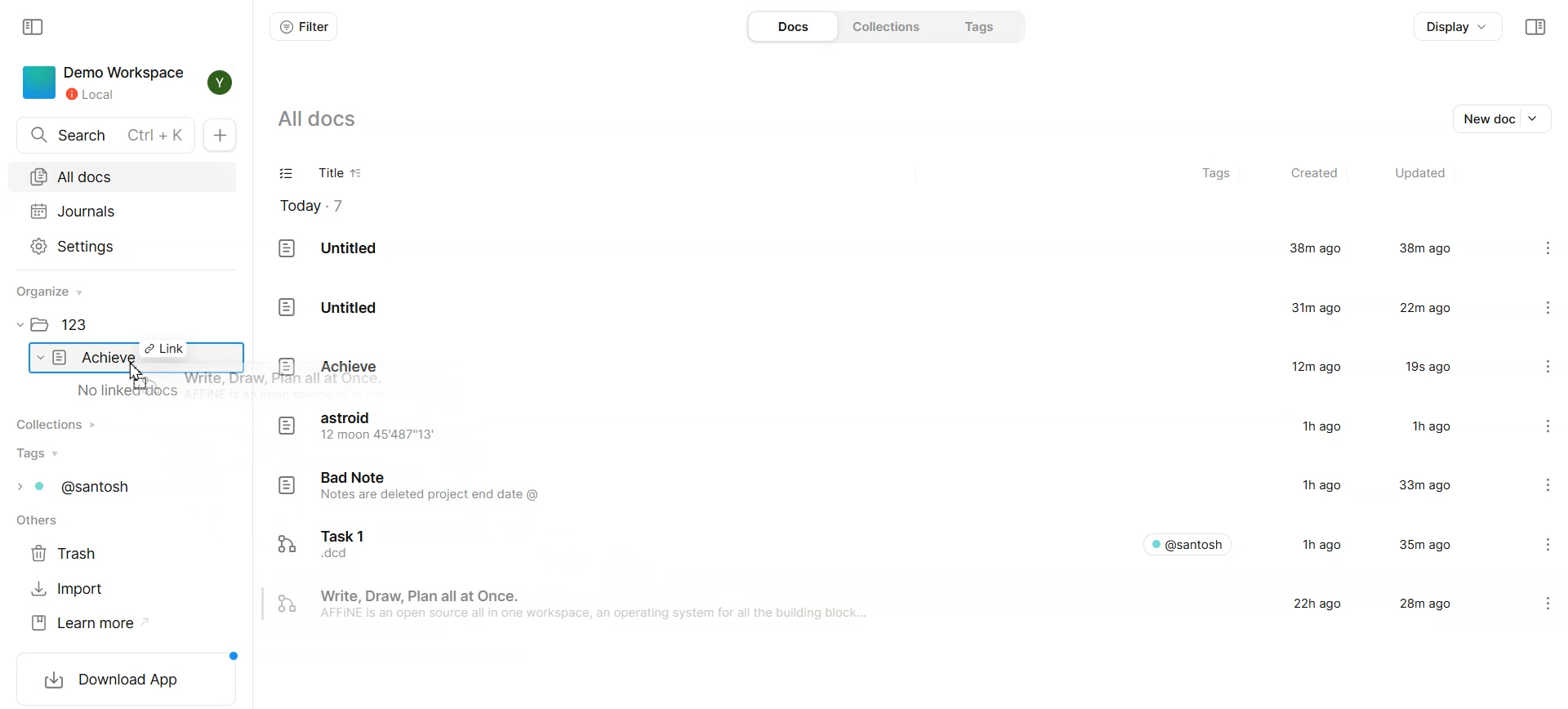 This screenshot has width=1568, height=709. I want to click on Docs, so click(791, 26).